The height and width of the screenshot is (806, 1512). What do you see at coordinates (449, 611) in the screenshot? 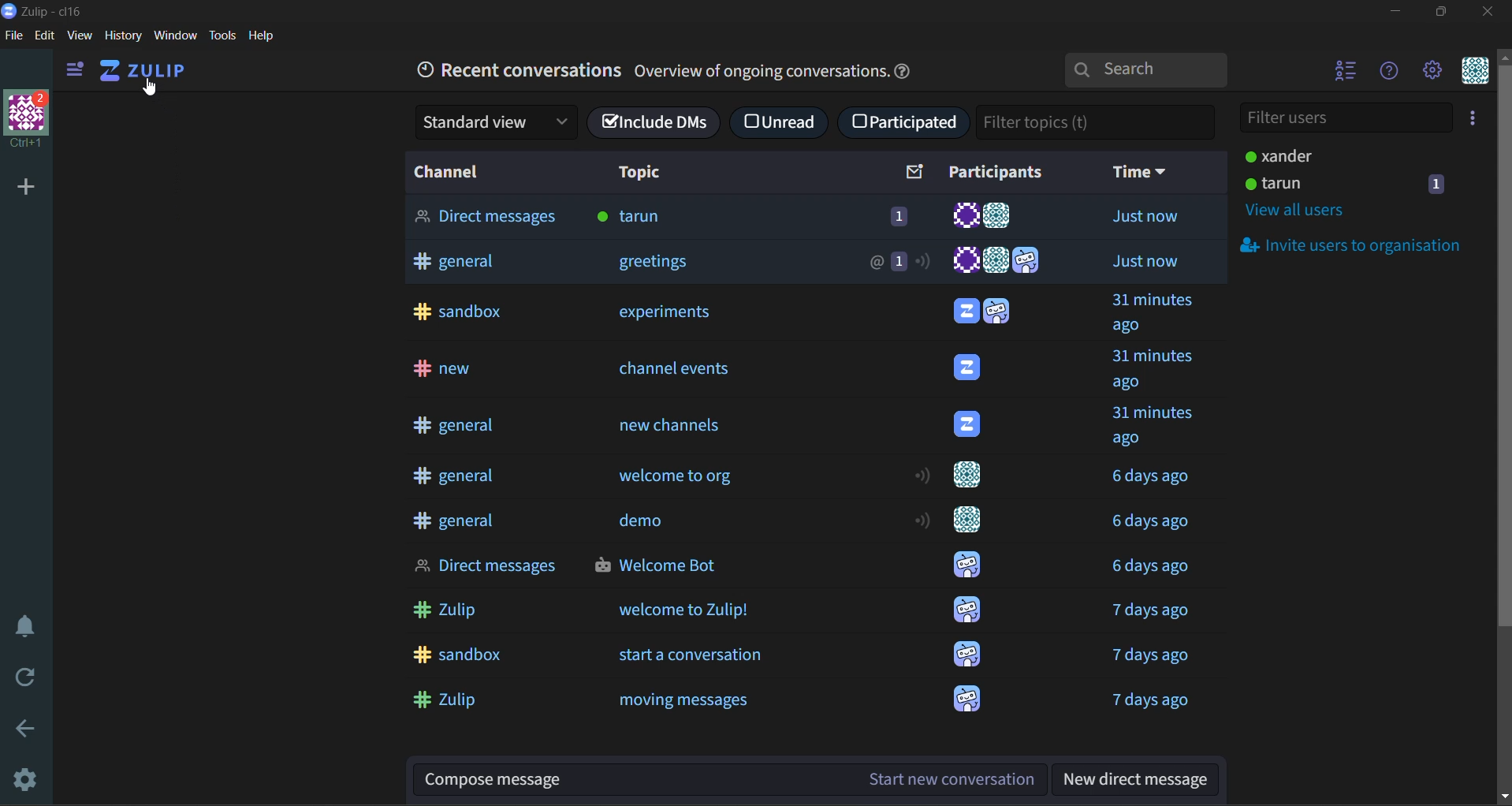
I see `Zulip` at bounding box center [449, 611].